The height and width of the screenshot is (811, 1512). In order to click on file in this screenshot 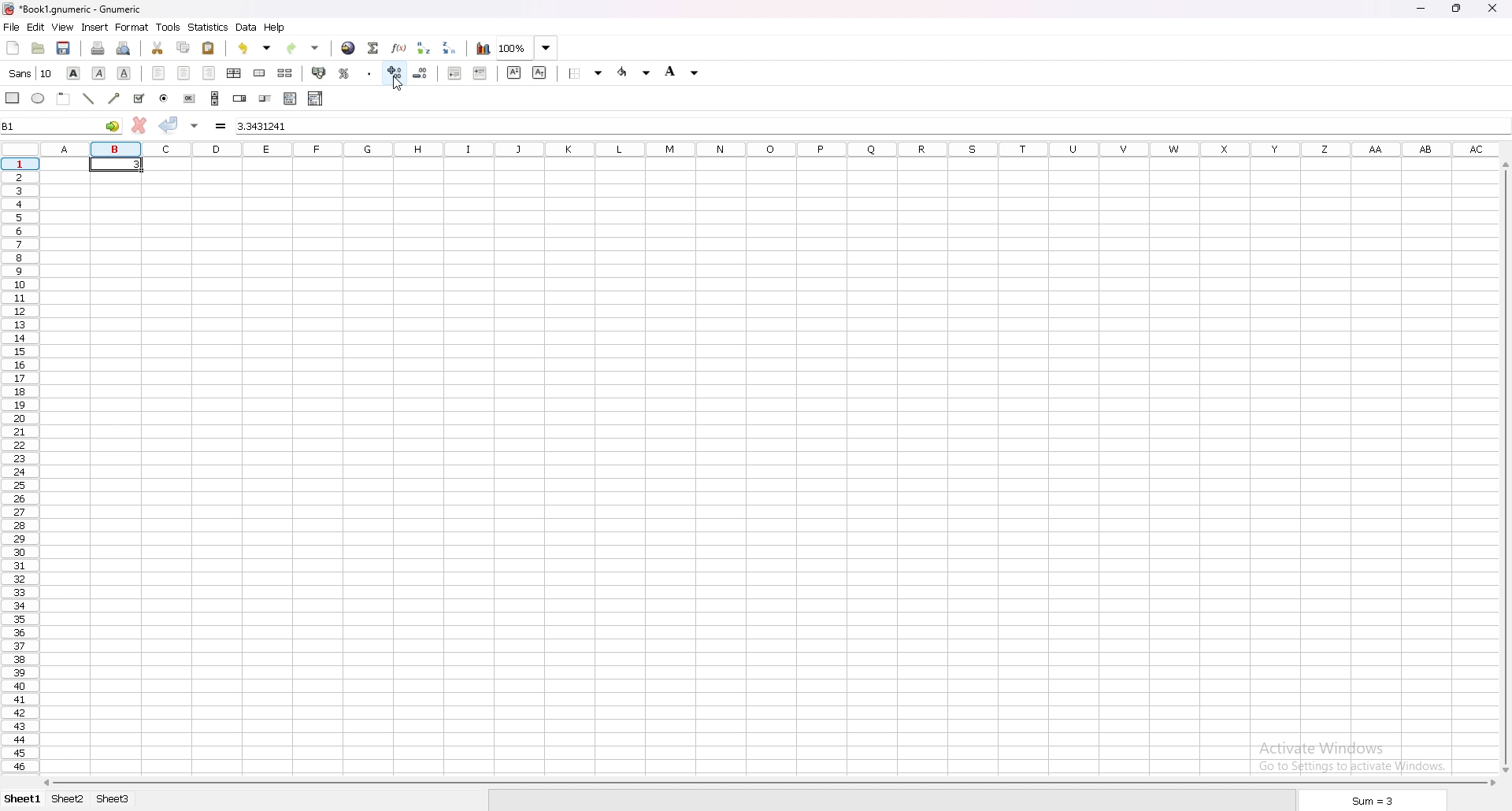, I will do `click(11, 28)`.